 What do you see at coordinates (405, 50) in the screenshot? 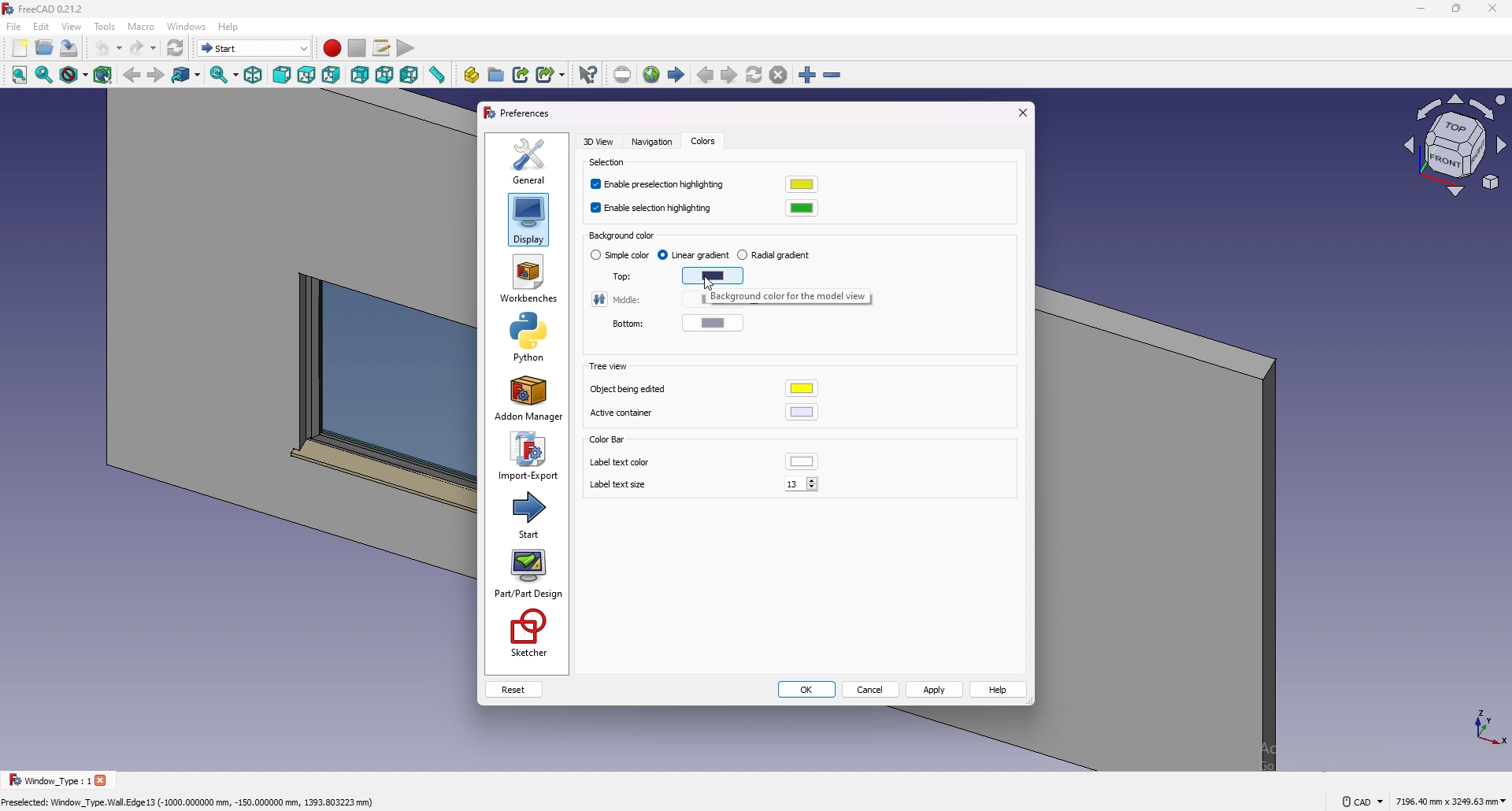
I see `execute macro` at bounding box center [405, 50].